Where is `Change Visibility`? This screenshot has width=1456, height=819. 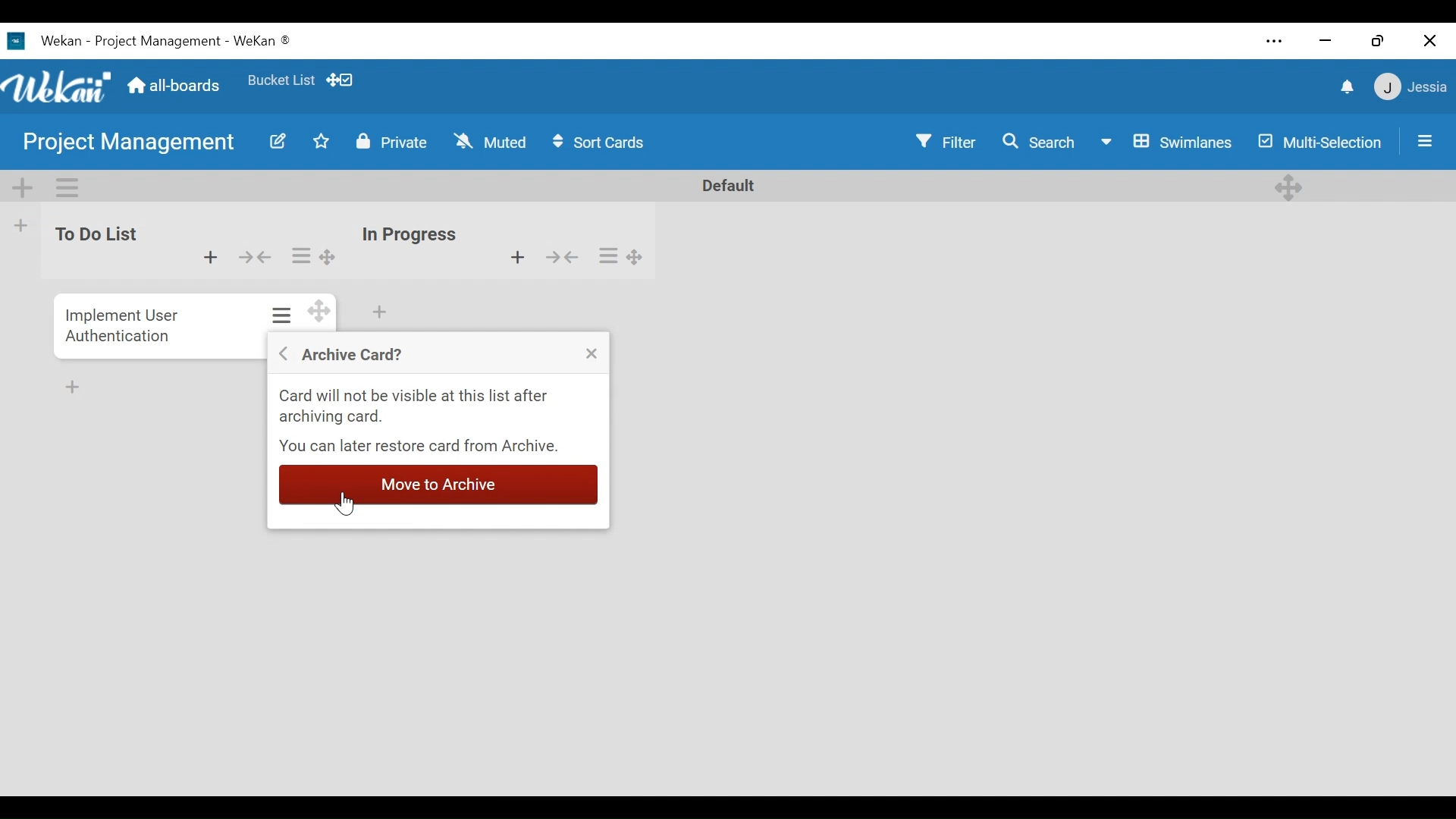 Change Visibility is located at coordinates (391, 142).